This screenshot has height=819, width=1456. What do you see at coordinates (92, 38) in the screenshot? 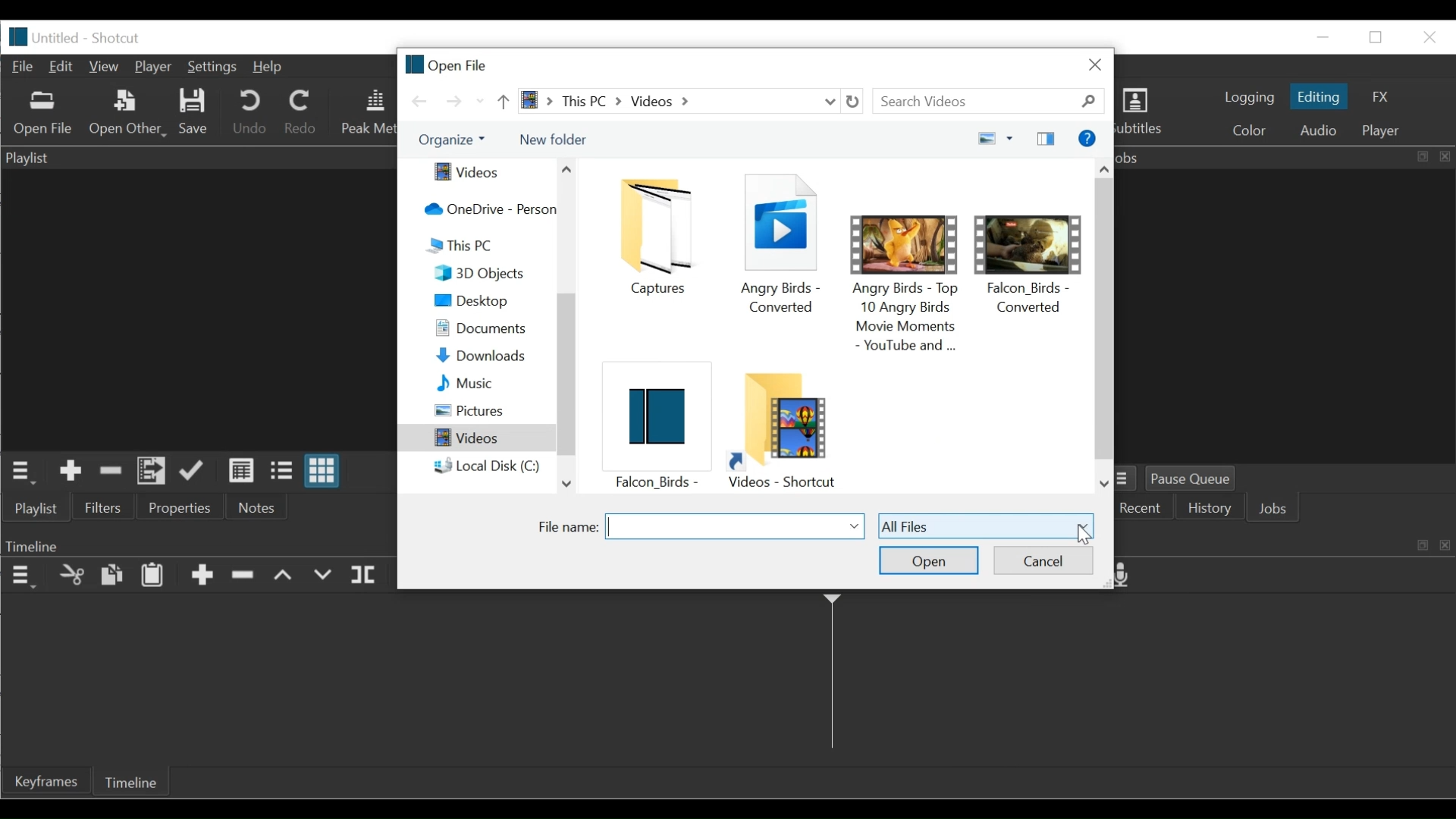
I see `Untitled - Shotcut` at bounding box center [92, 38].